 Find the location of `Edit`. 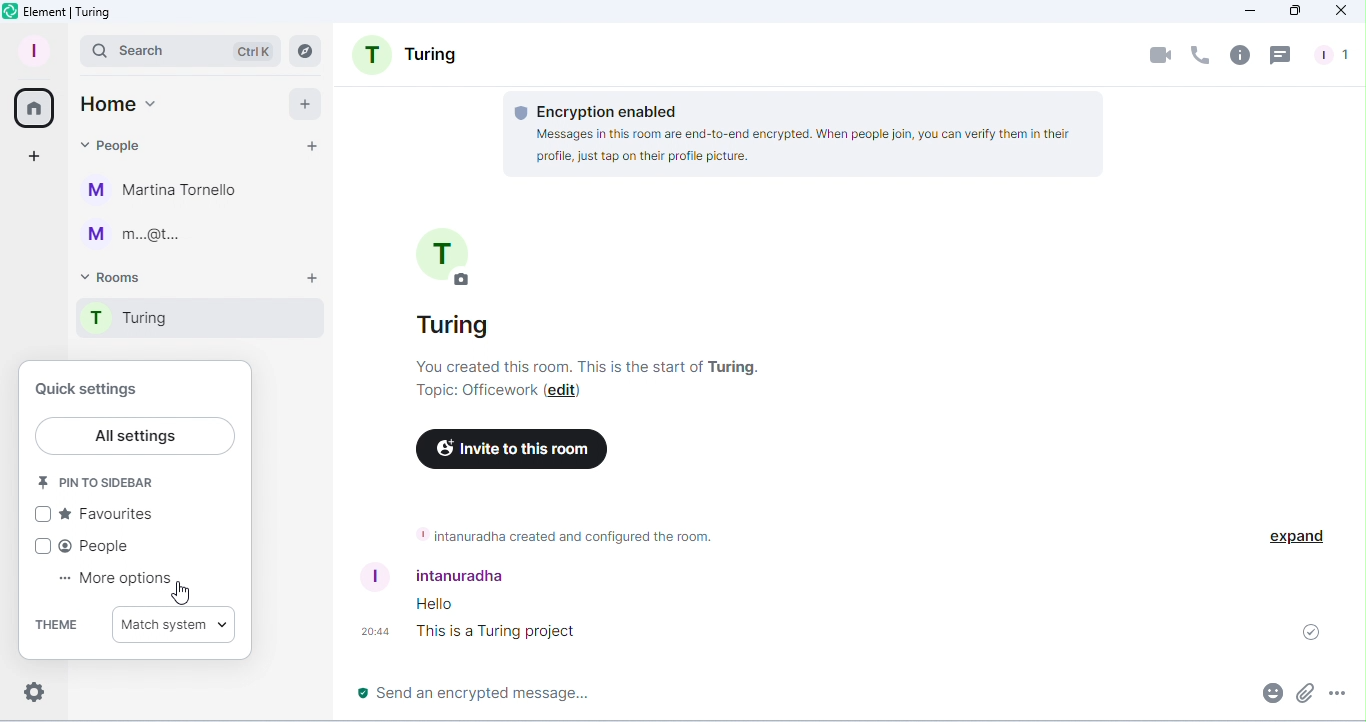

Edit is located at coordinates (562, 392).